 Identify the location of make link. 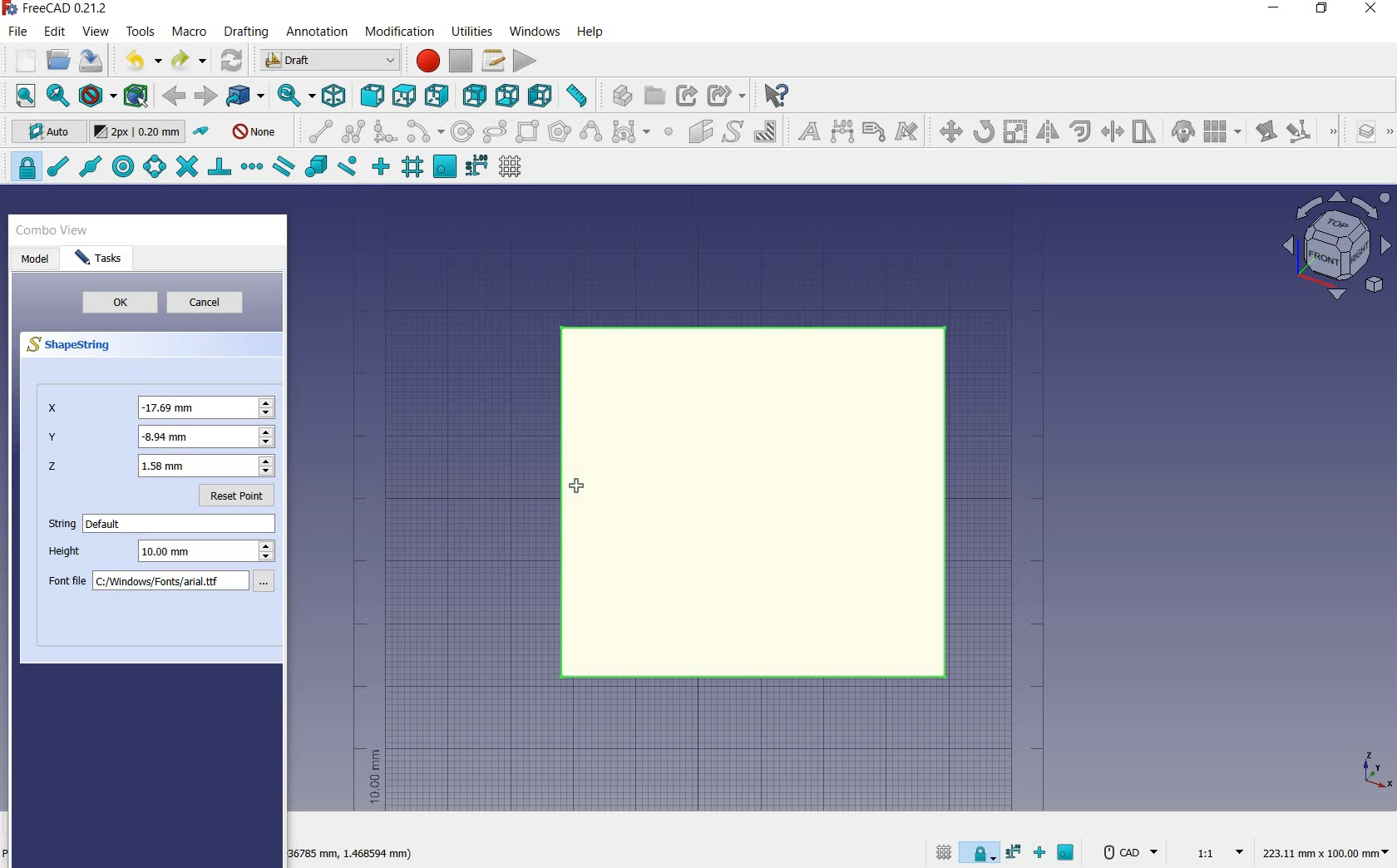
(687, 94).